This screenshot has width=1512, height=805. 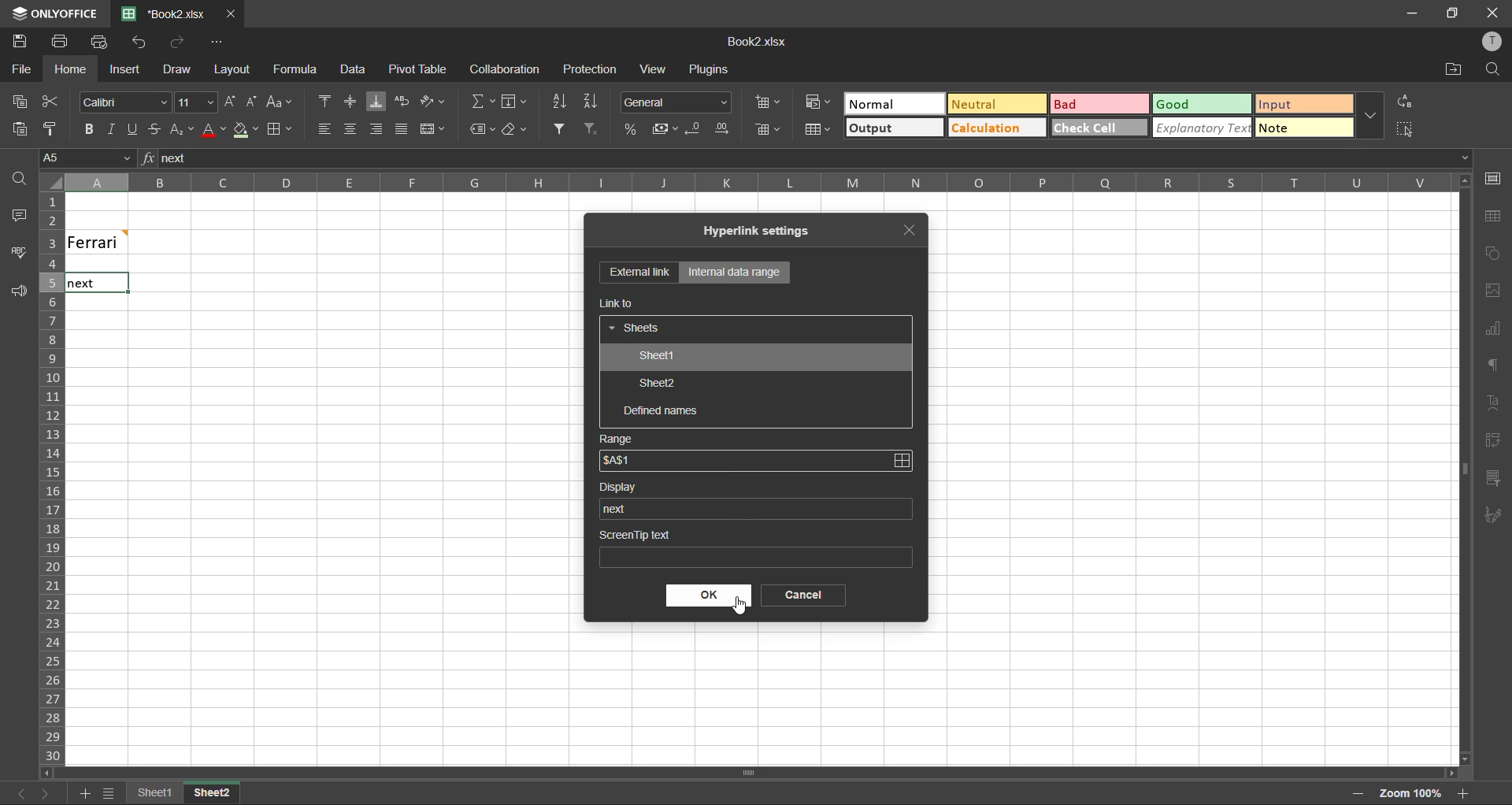 What do you see at coordinates (727, 128) in the screenshot?
I see `increase decimal` at bounding box center [727, 128].